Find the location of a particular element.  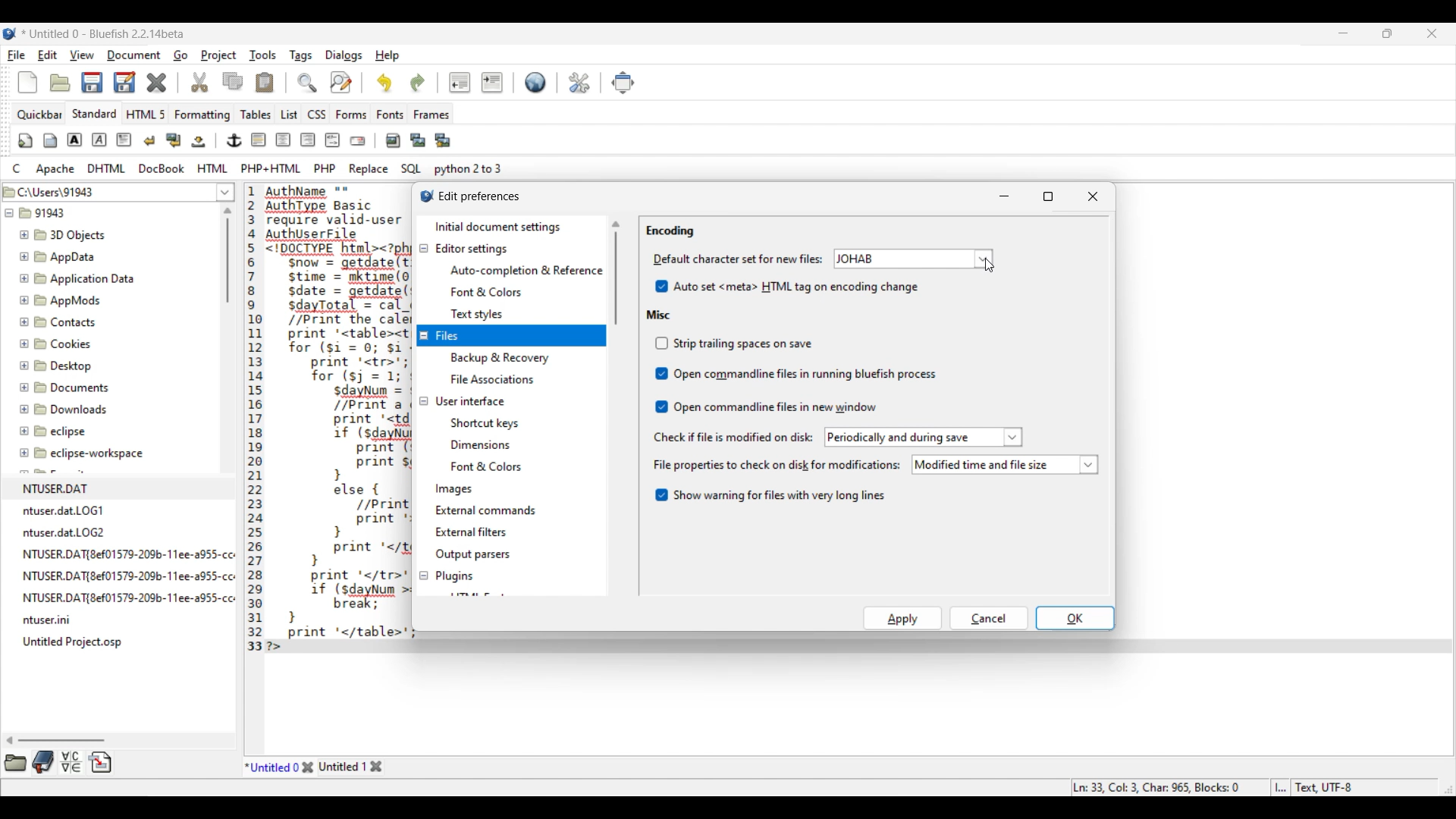

Editor setting options is located at coordinates (526, 293).